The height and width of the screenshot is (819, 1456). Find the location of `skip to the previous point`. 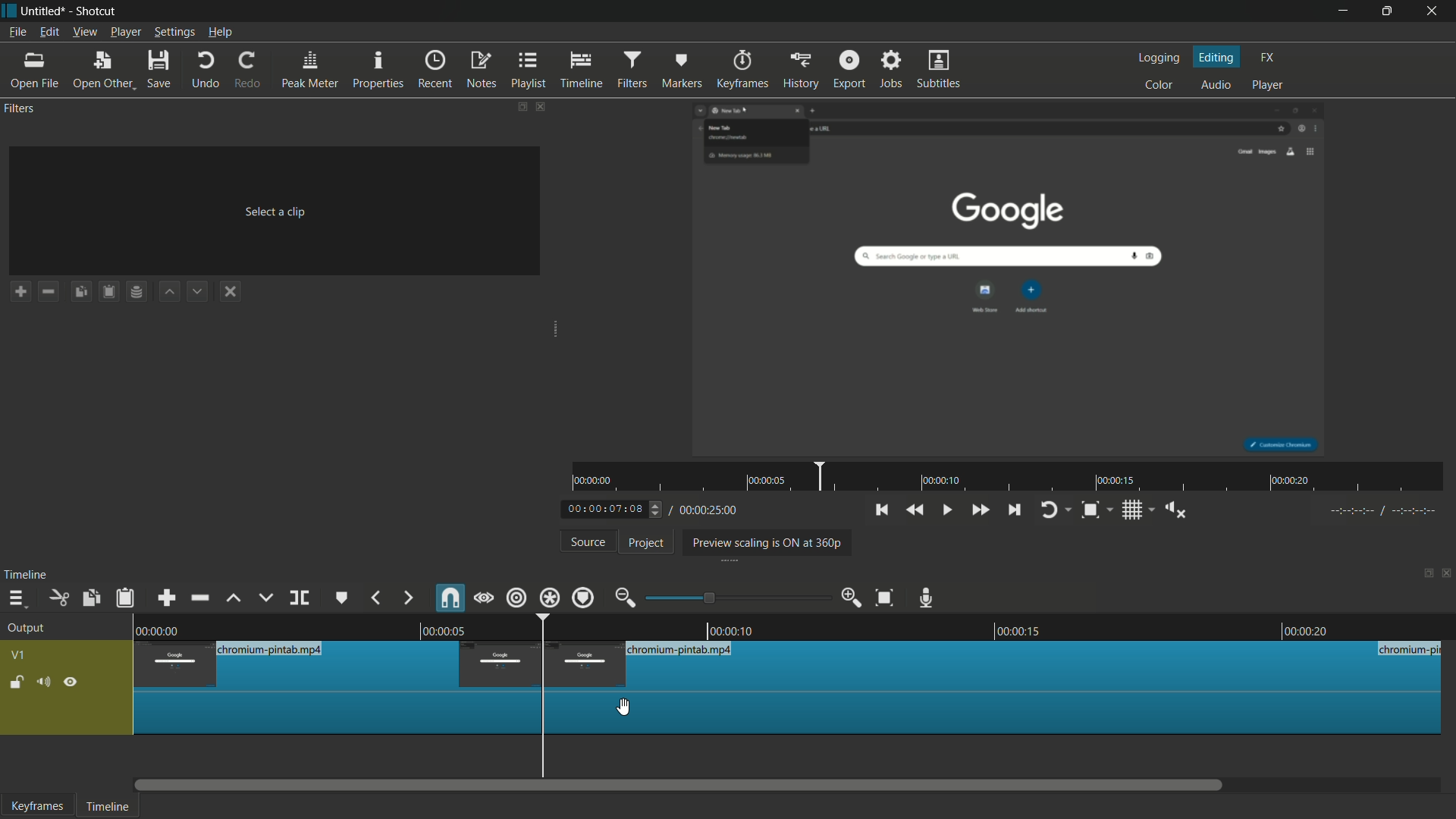

skip to the previous point is located at coordinates (880, 510).